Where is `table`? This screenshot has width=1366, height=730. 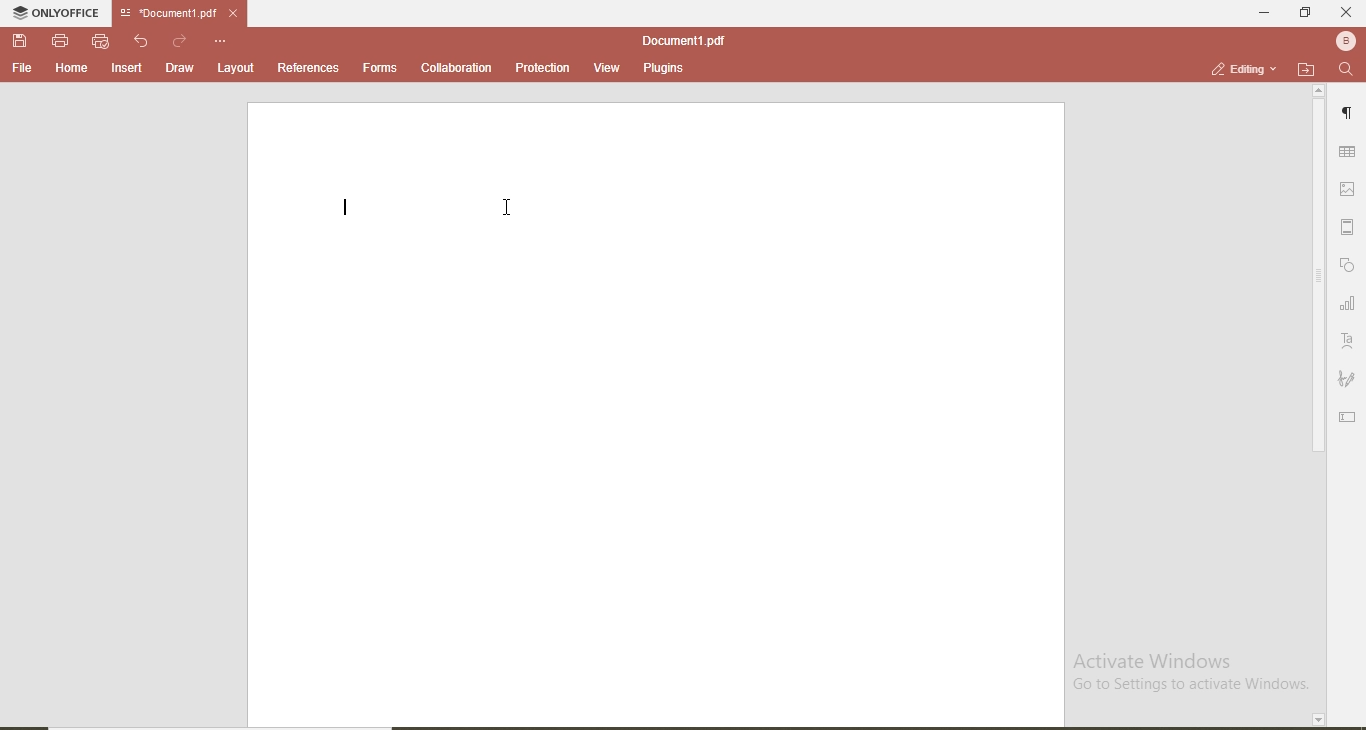 table is located at coordinates (1349, 152).